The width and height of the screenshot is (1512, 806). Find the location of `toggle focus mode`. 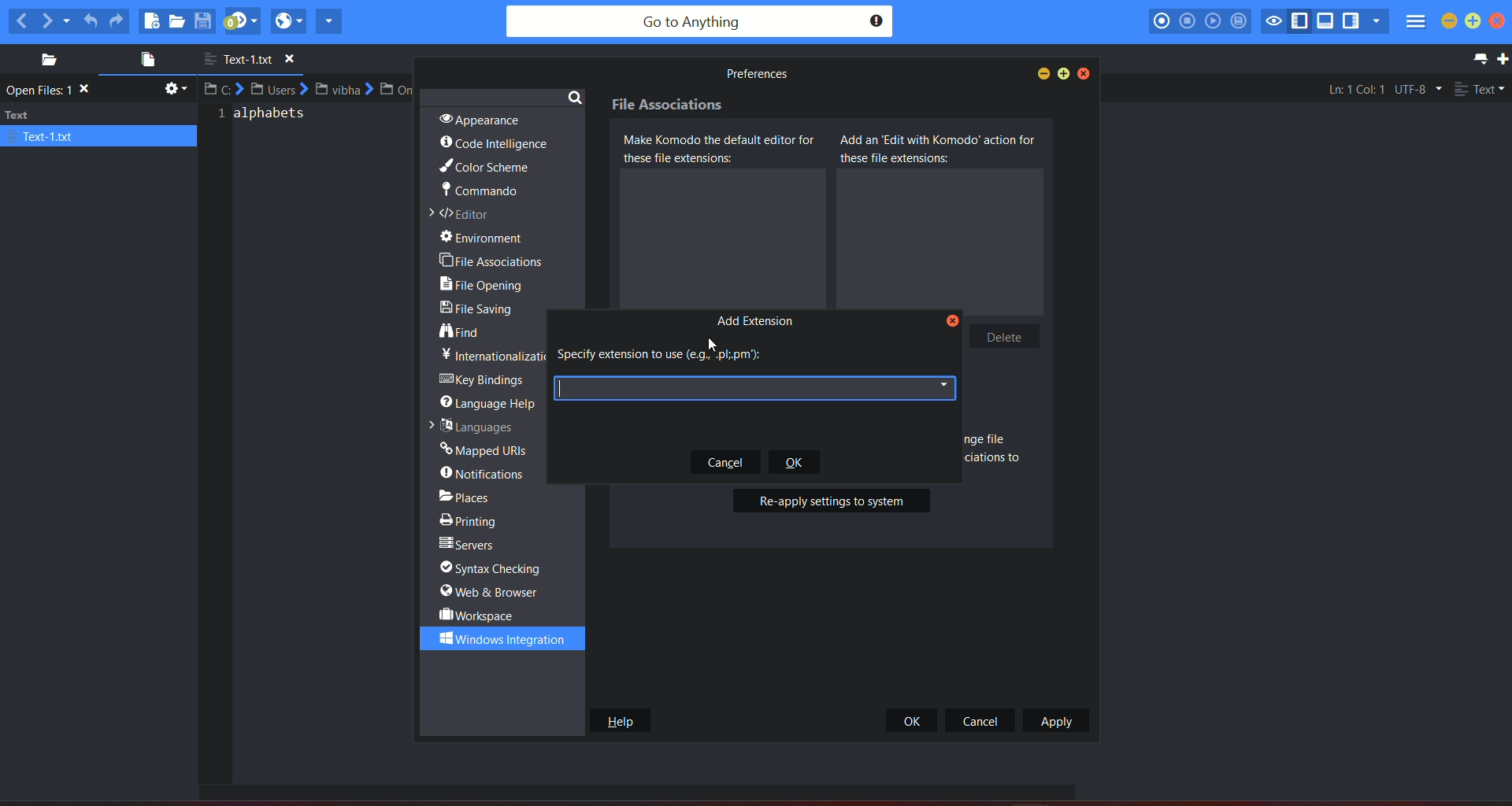

toggle focus mode is located at coordinates (1274, 20).